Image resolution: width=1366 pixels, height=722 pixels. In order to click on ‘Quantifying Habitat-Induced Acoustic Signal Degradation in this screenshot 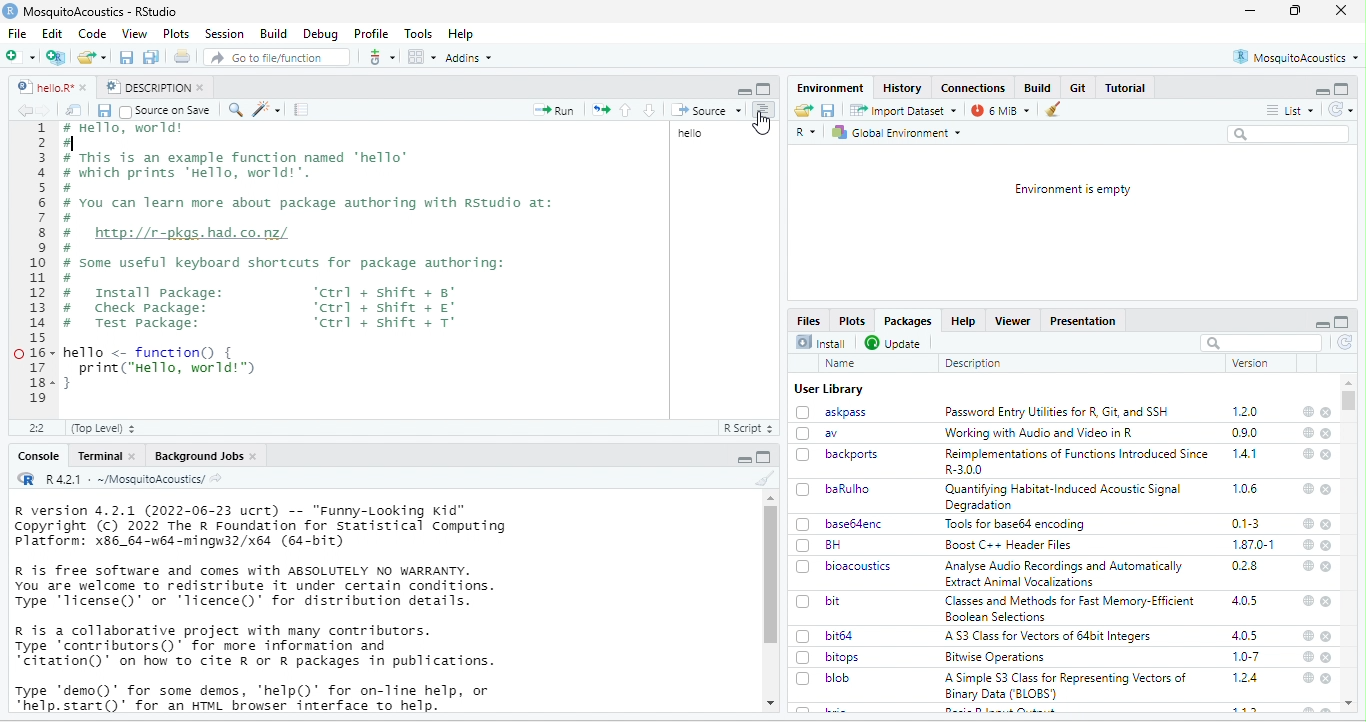, I will do `click(1066, 497)`.